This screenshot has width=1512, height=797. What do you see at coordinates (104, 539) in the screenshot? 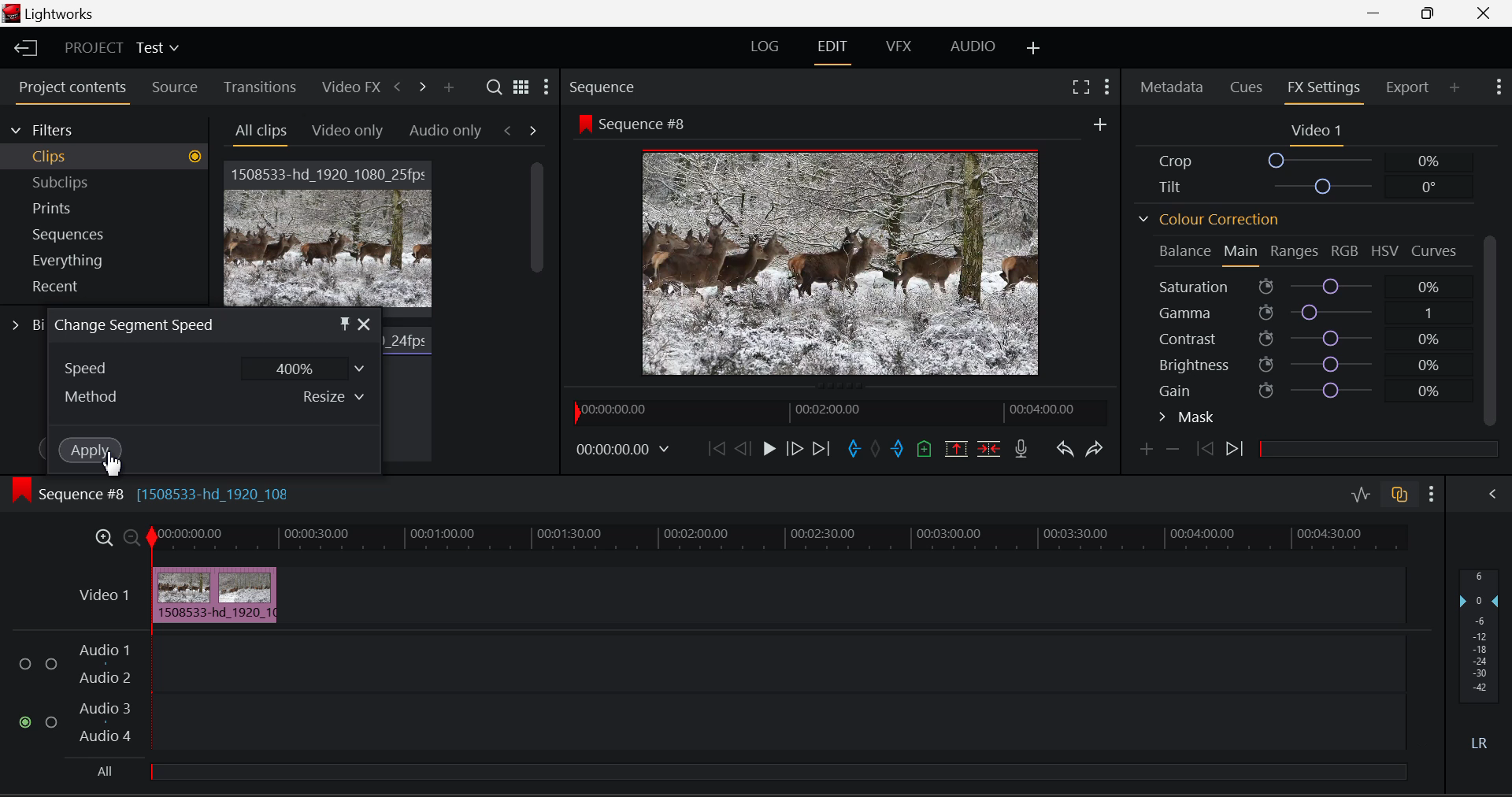
I see `Maximize` at bounding box center [104, 539].